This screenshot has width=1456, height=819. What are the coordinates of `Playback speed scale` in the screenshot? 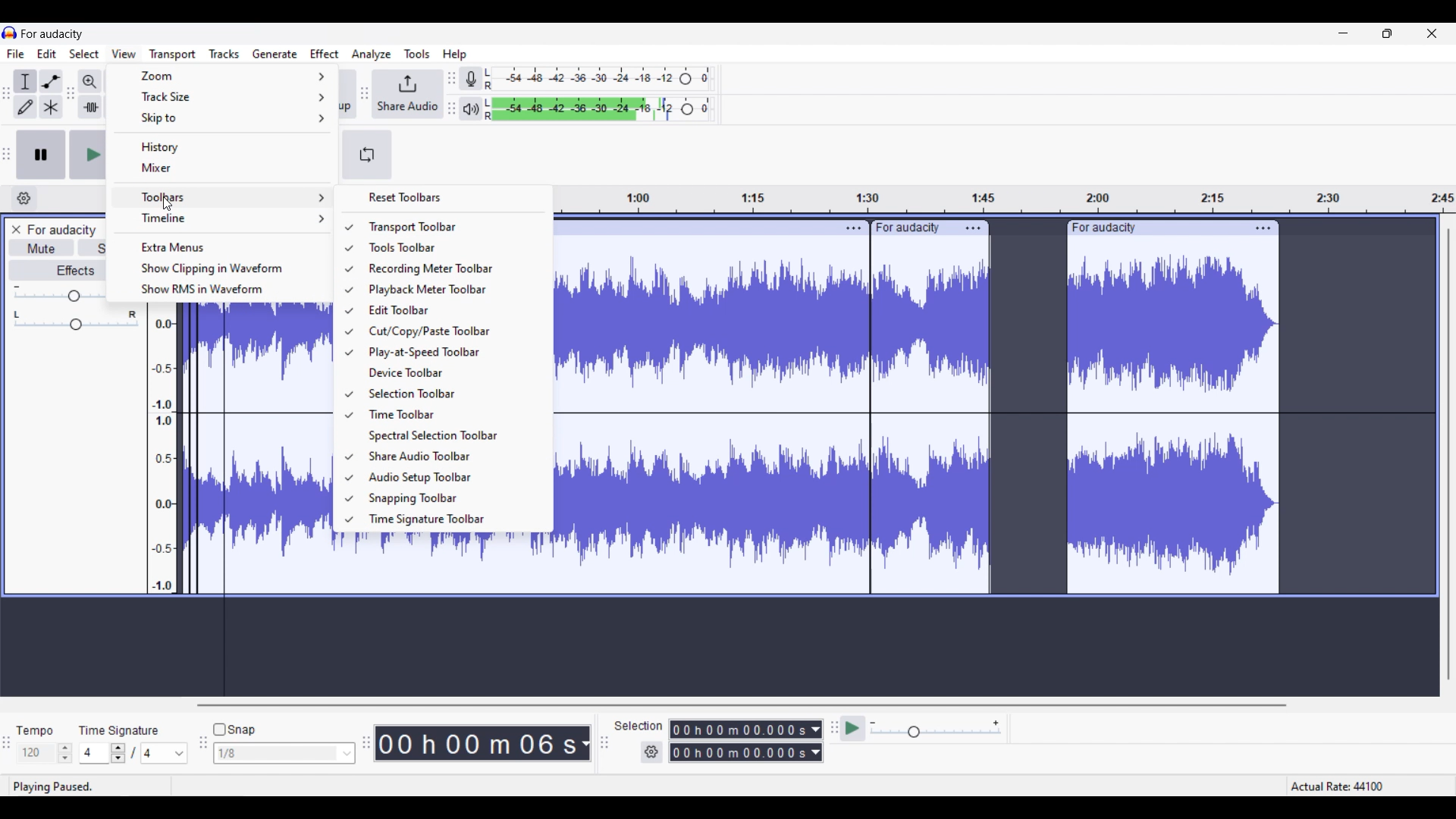 It's located at (937, 730).